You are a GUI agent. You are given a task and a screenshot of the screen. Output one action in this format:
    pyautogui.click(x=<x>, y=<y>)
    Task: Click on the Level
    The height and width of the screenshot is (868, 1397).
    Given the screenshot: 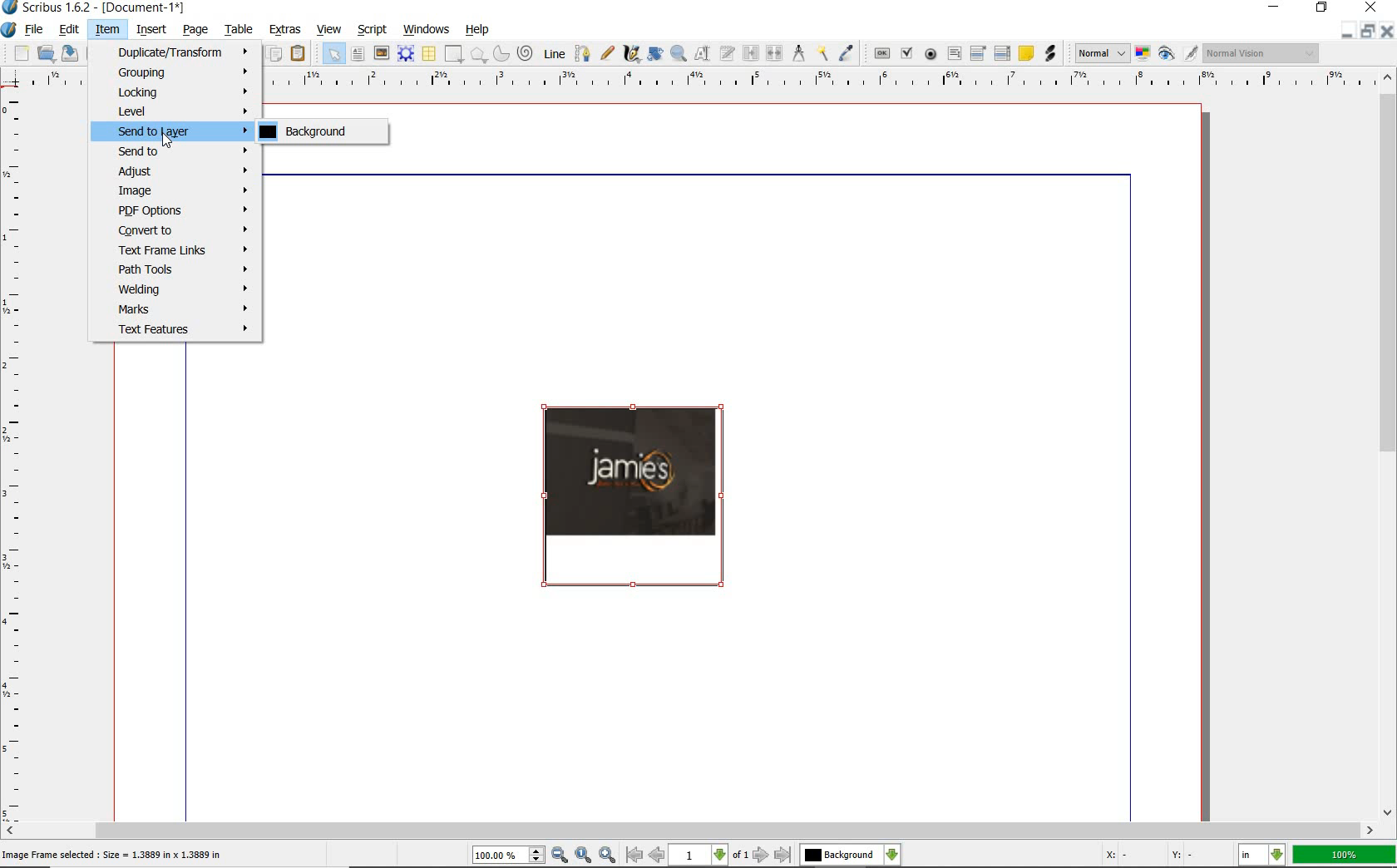 What is the action you would take?
    pyautogui.click(x=175, y=111)
    